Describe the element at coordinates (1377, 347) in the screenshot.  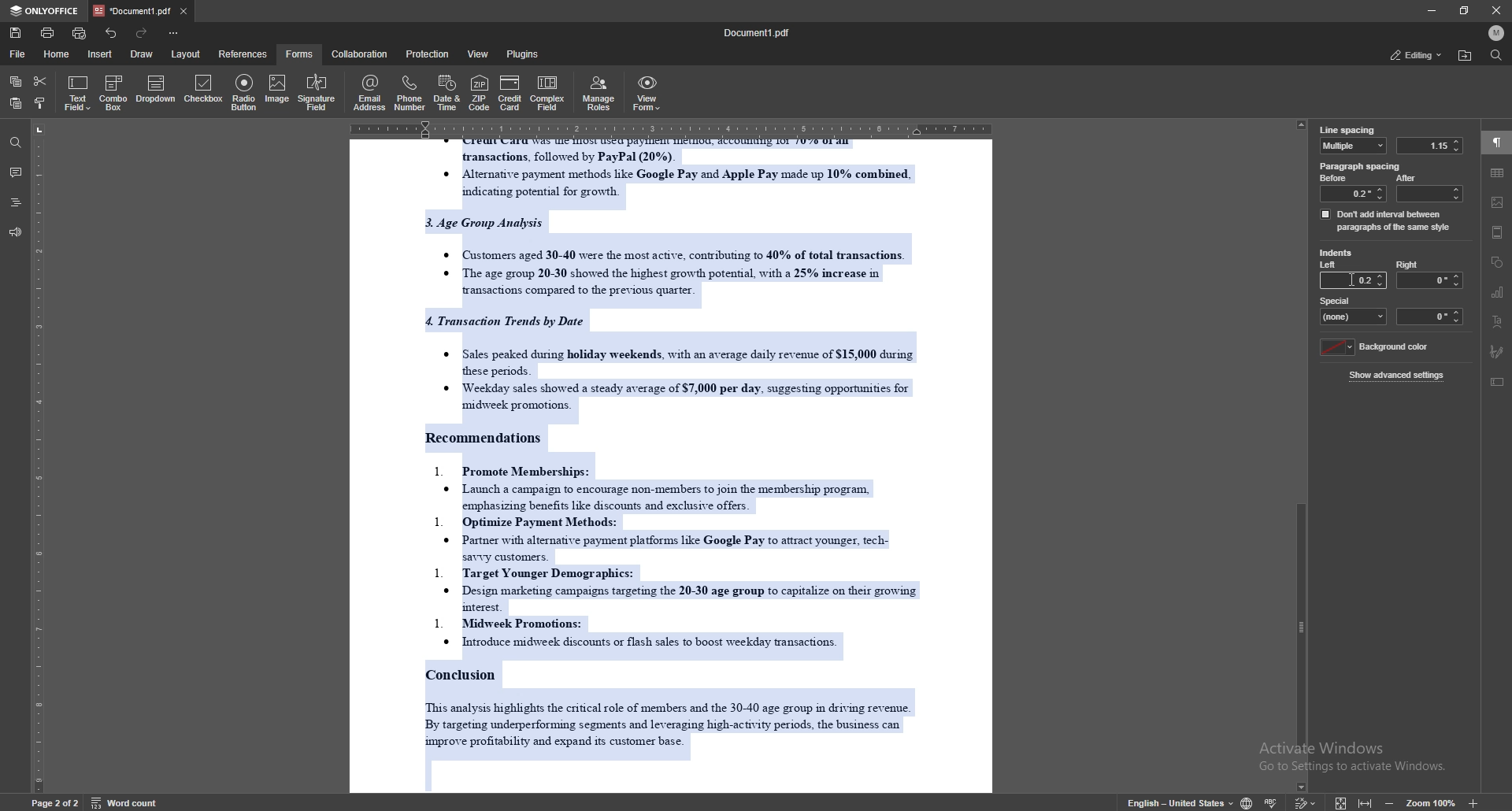
I see `background` at that location.